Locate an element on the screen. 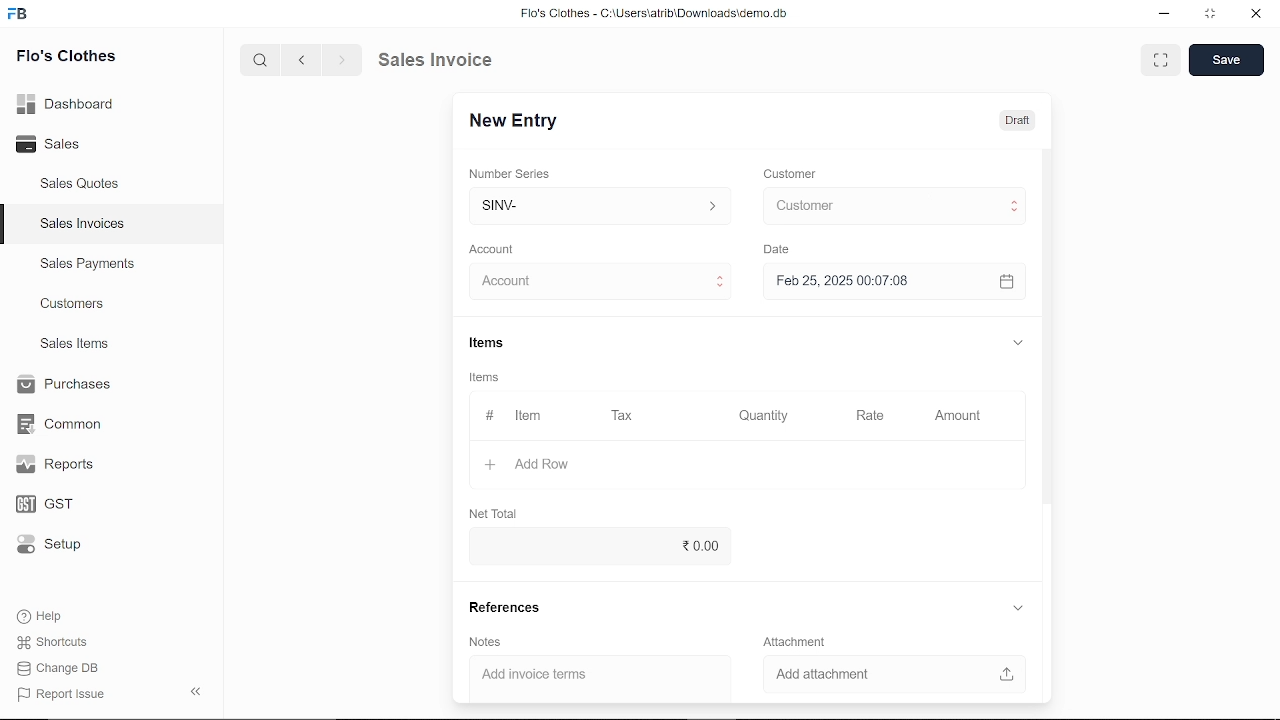 The image size is (1280, 720). ‘Account is located at coordinates (491, 248).